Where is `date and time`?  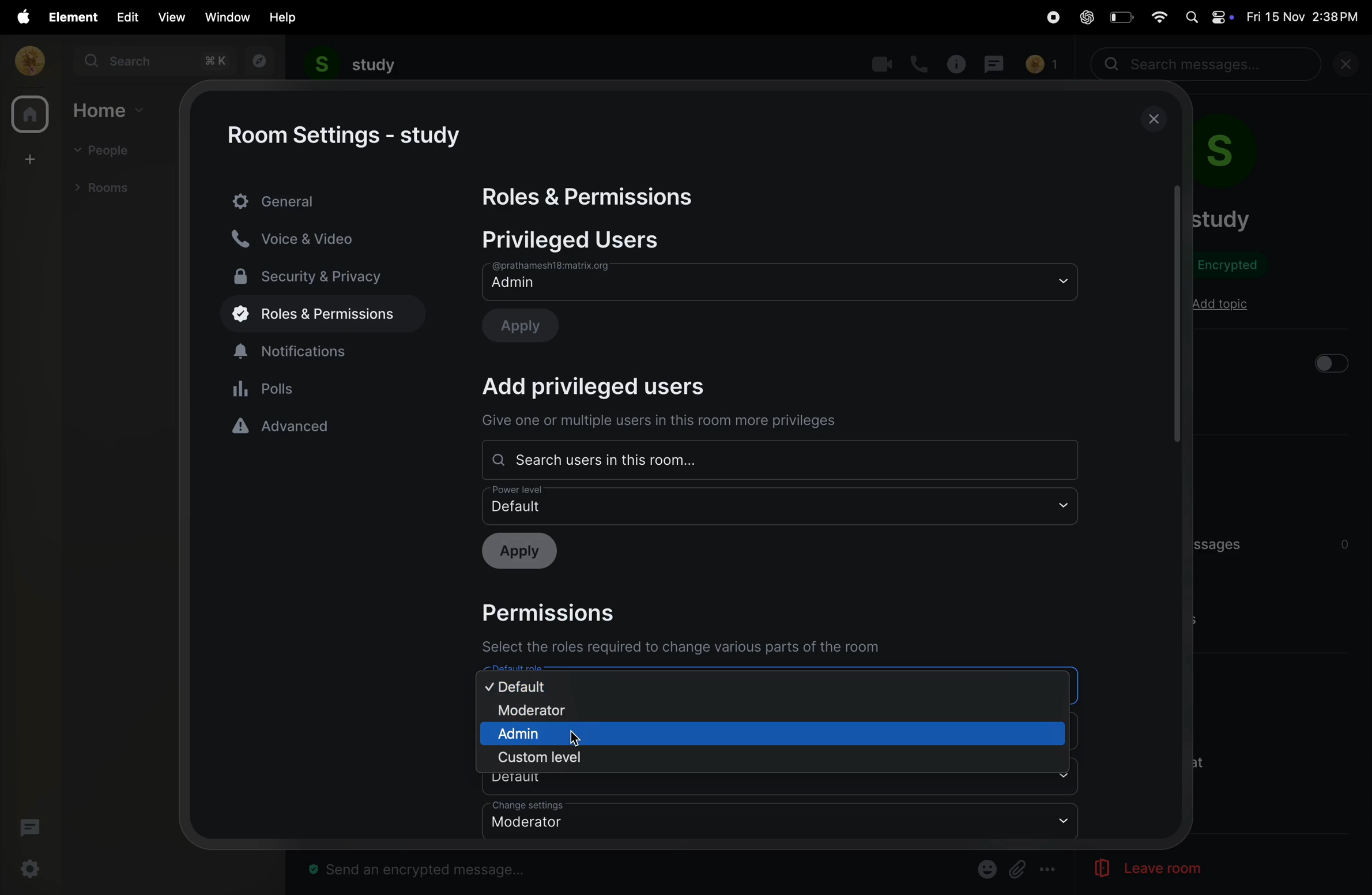 date and time is located at coordinates (1306, 17).